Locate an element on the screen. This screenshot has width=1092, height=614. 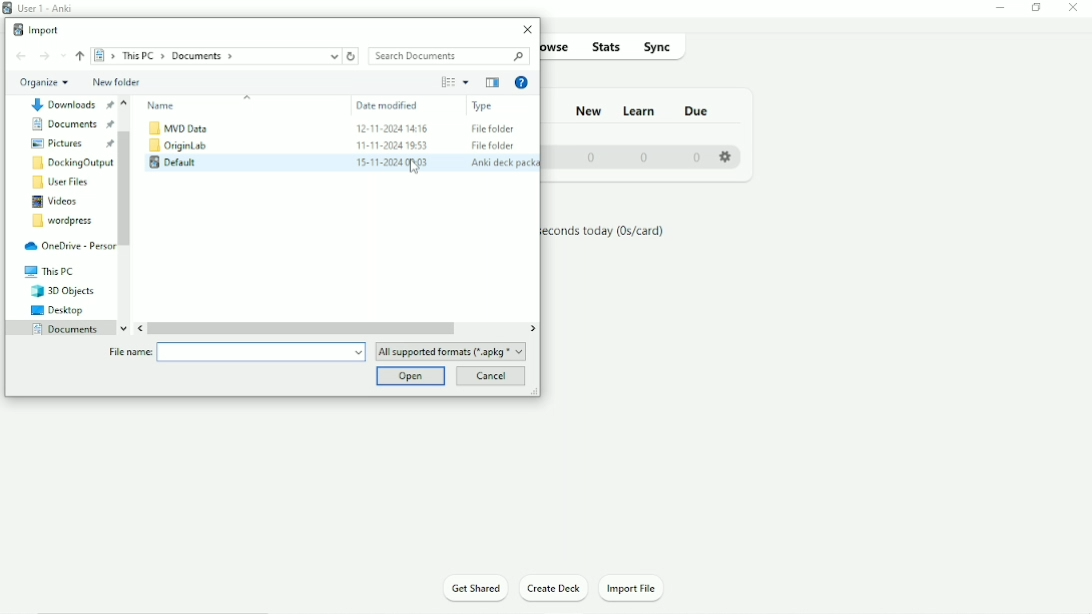
Sync is located at coordinates (662, 47).